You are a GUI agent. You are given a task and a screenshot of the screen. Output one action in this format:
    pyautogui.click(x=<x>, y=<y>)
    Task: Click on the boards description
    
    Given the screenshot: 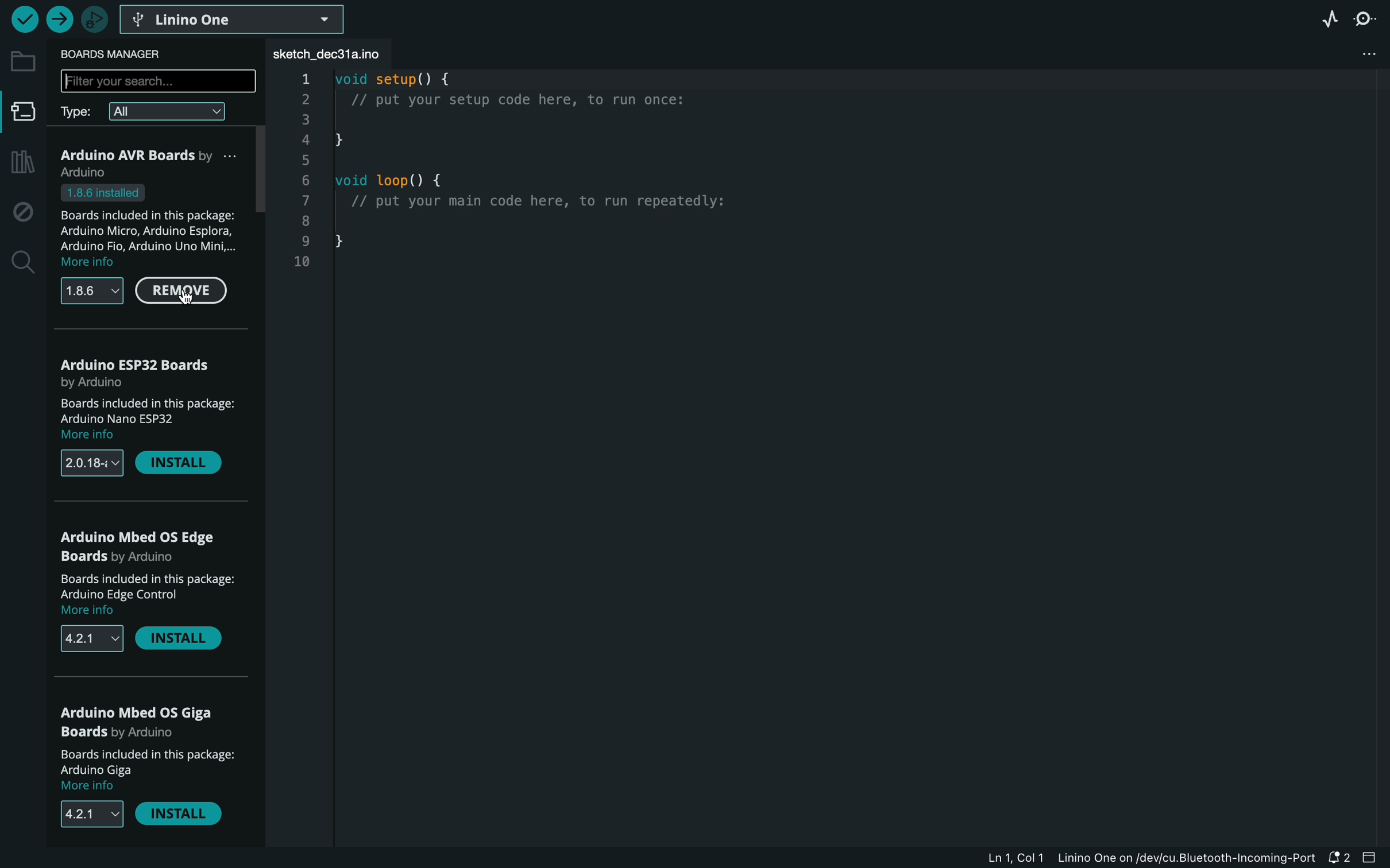 What is the action you would take?
    pyautogui.click(x=146, y=412)
    